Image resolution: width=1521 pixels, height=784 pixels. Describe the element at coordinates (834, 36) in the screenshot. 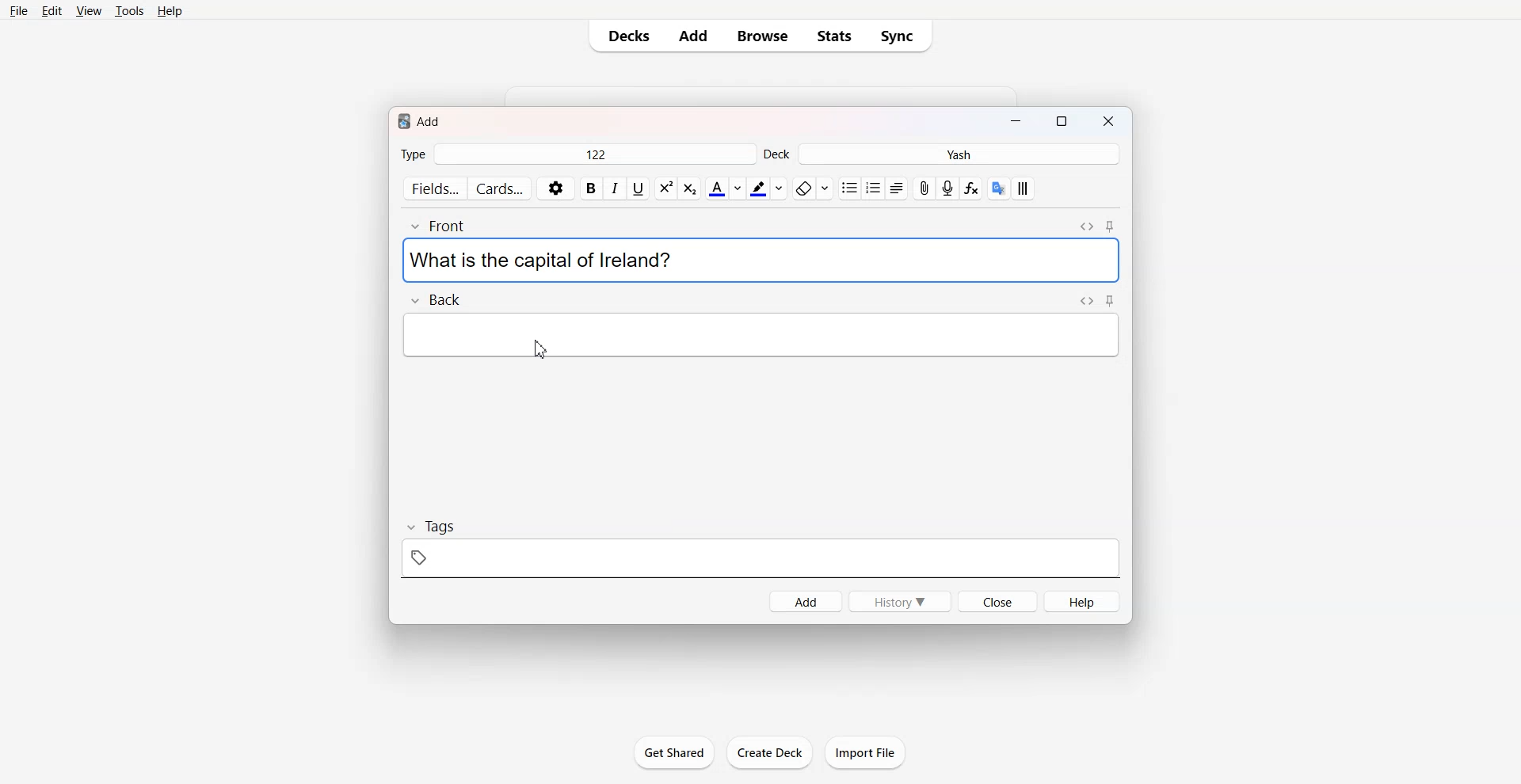

I see `Stats` at that location.